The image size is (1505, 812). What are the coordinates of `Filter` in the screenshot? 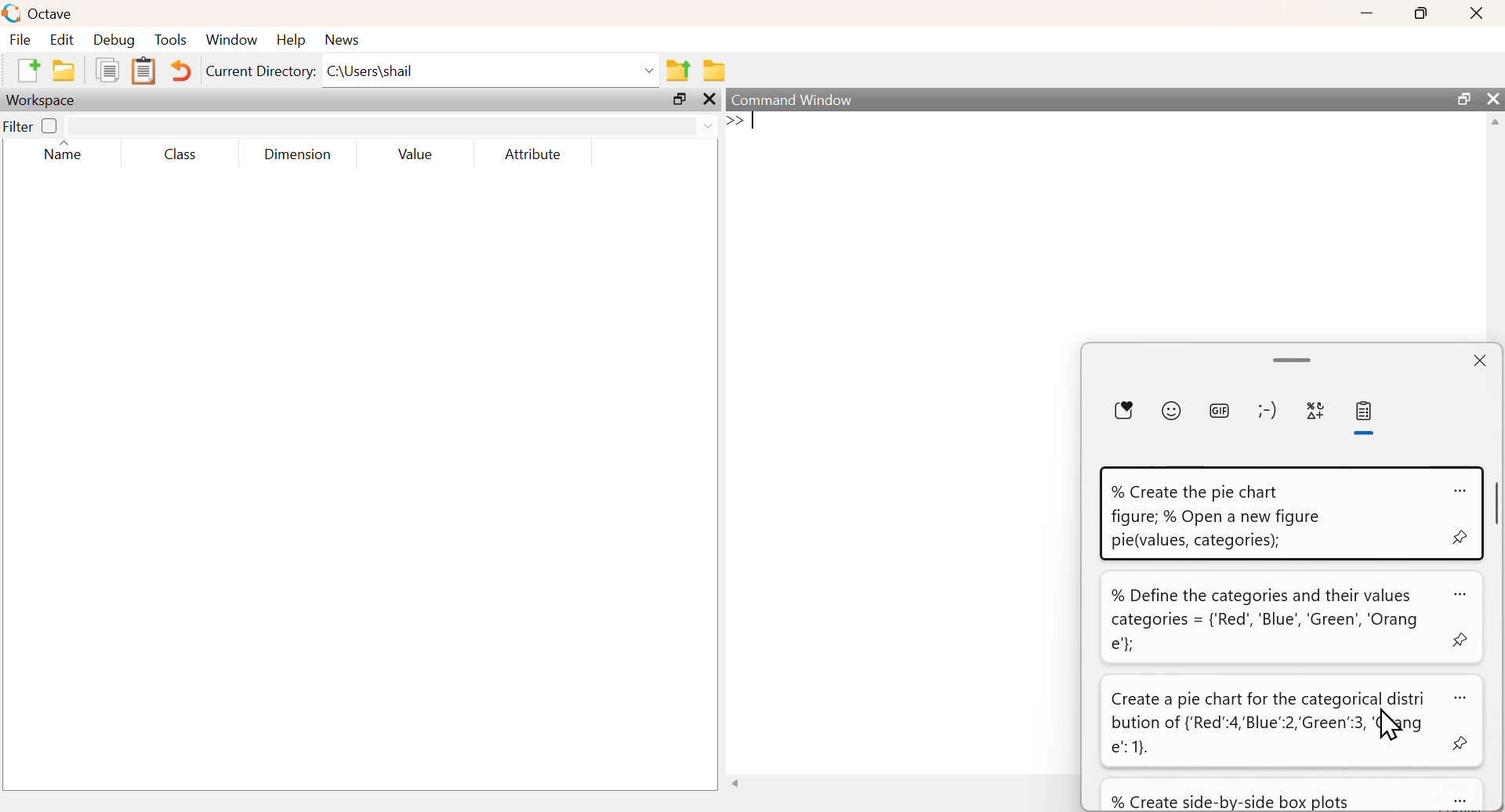 It's located at (33, 125).